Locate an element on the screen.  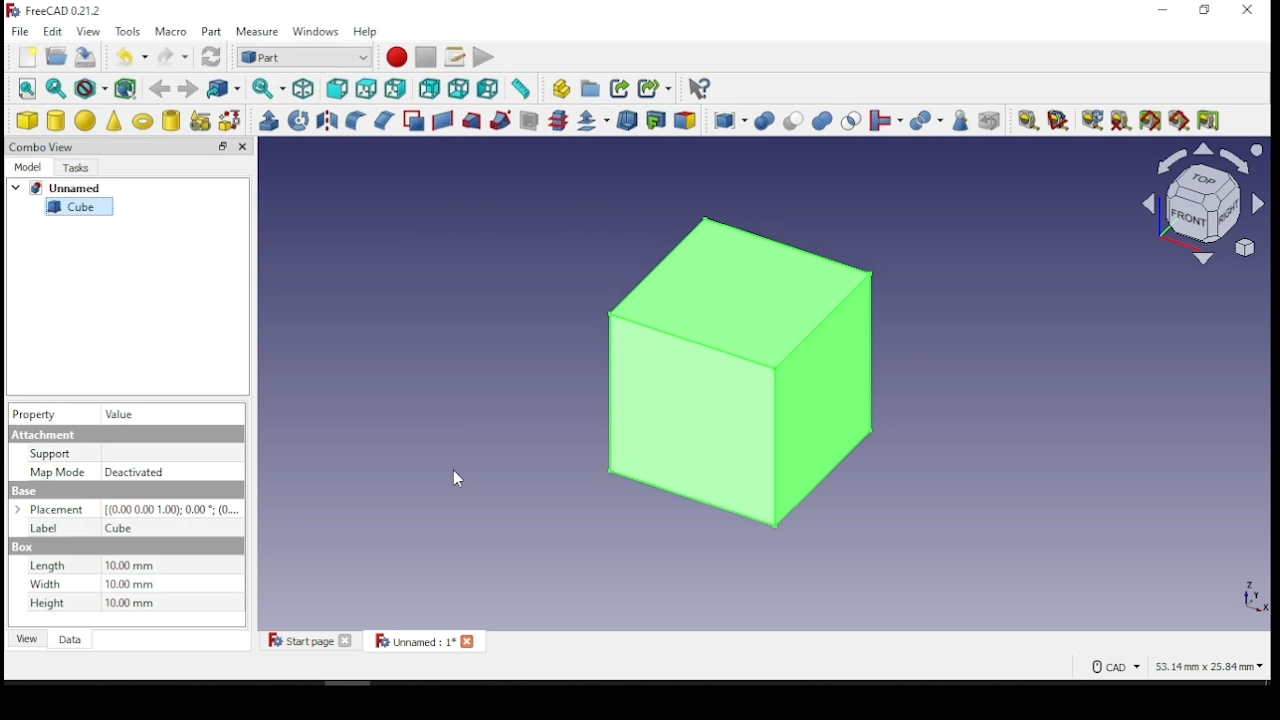
macro is located at coordinates (171, 31).